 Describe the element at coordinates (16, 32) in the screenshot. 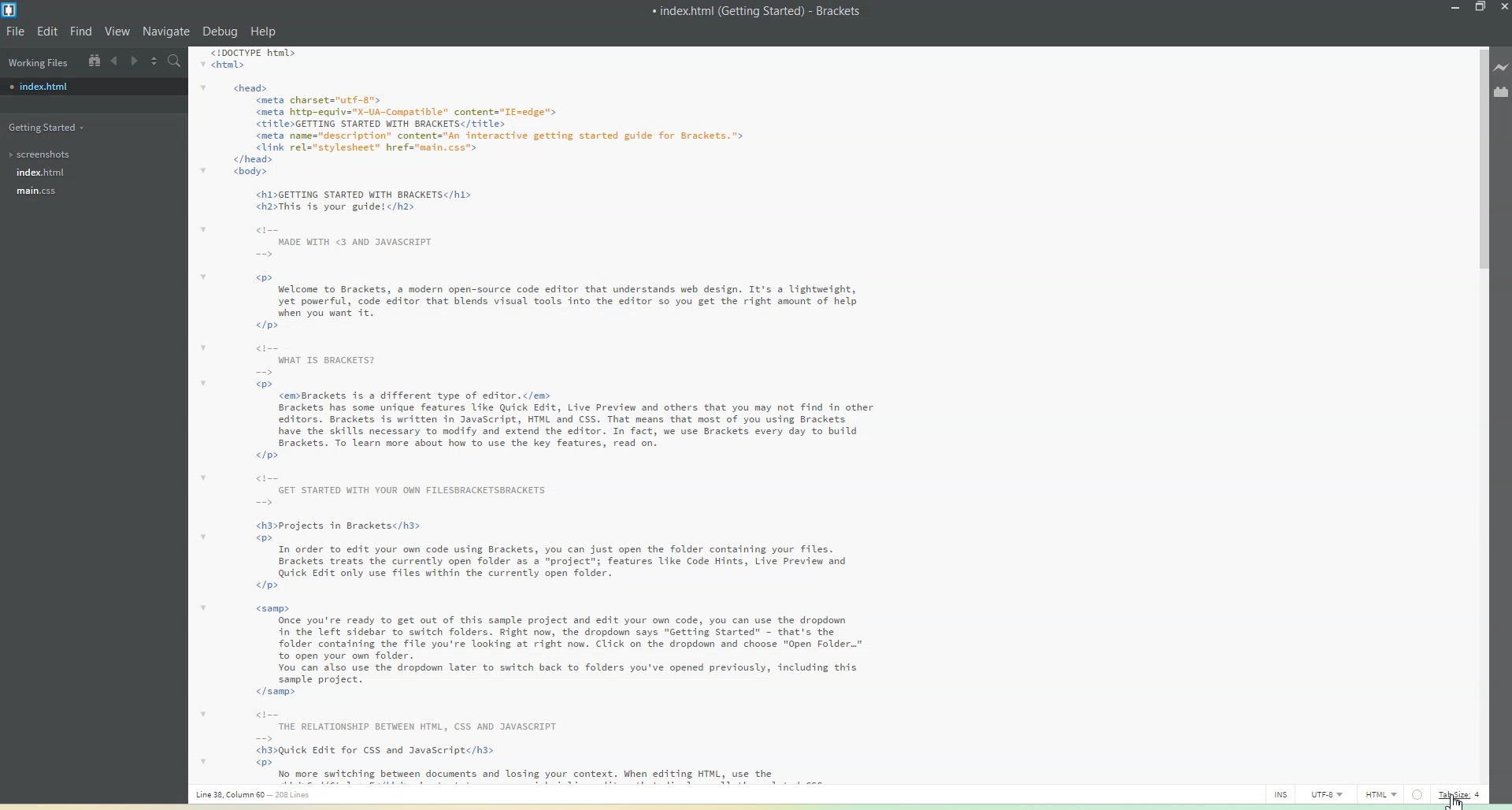

I see `File` at that location.